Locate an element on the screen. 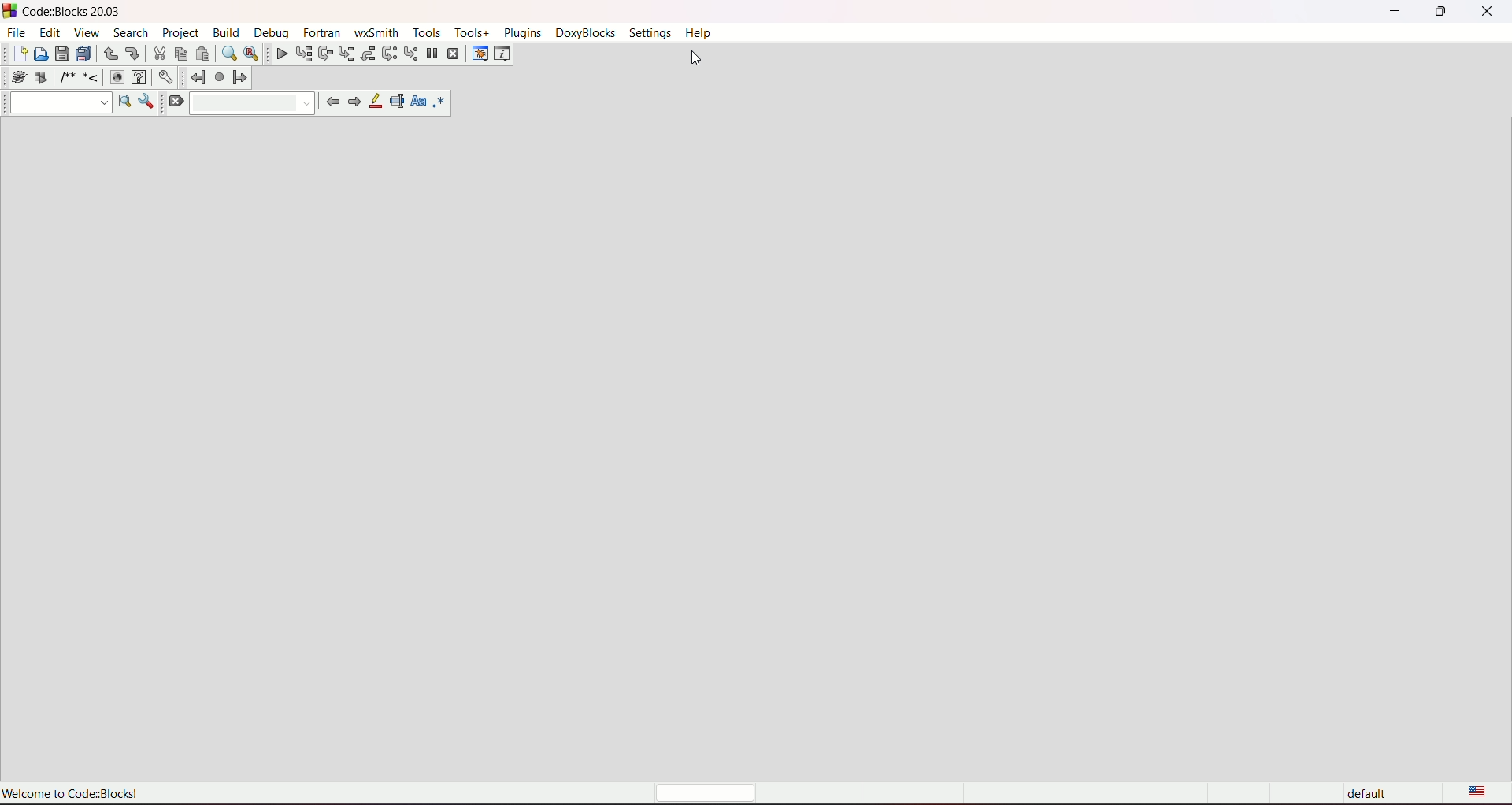  clear is located at coordinates (174, 100).